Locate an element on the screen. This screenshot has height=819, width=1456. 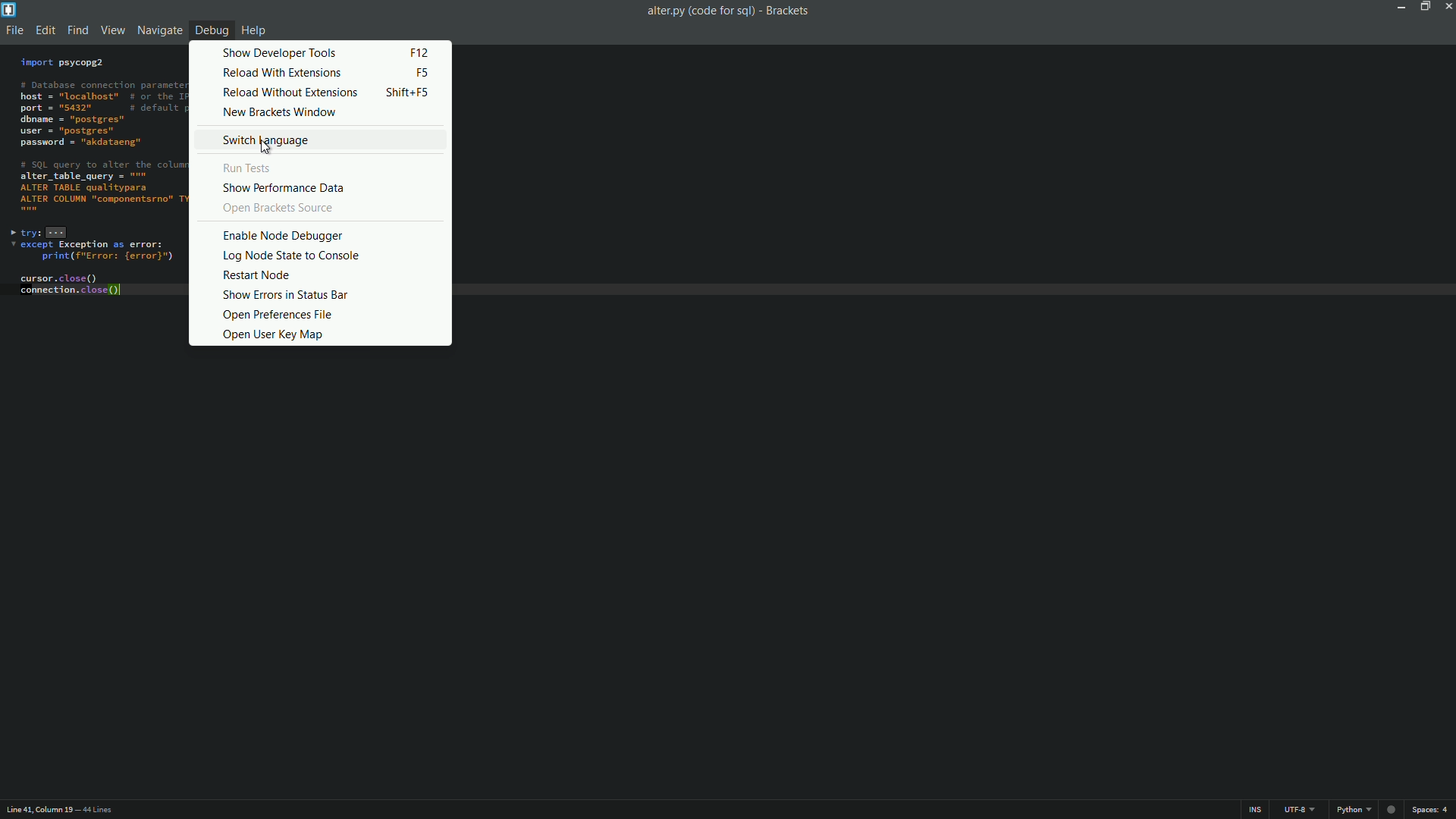
help menu is located at coordinates (253, 30).